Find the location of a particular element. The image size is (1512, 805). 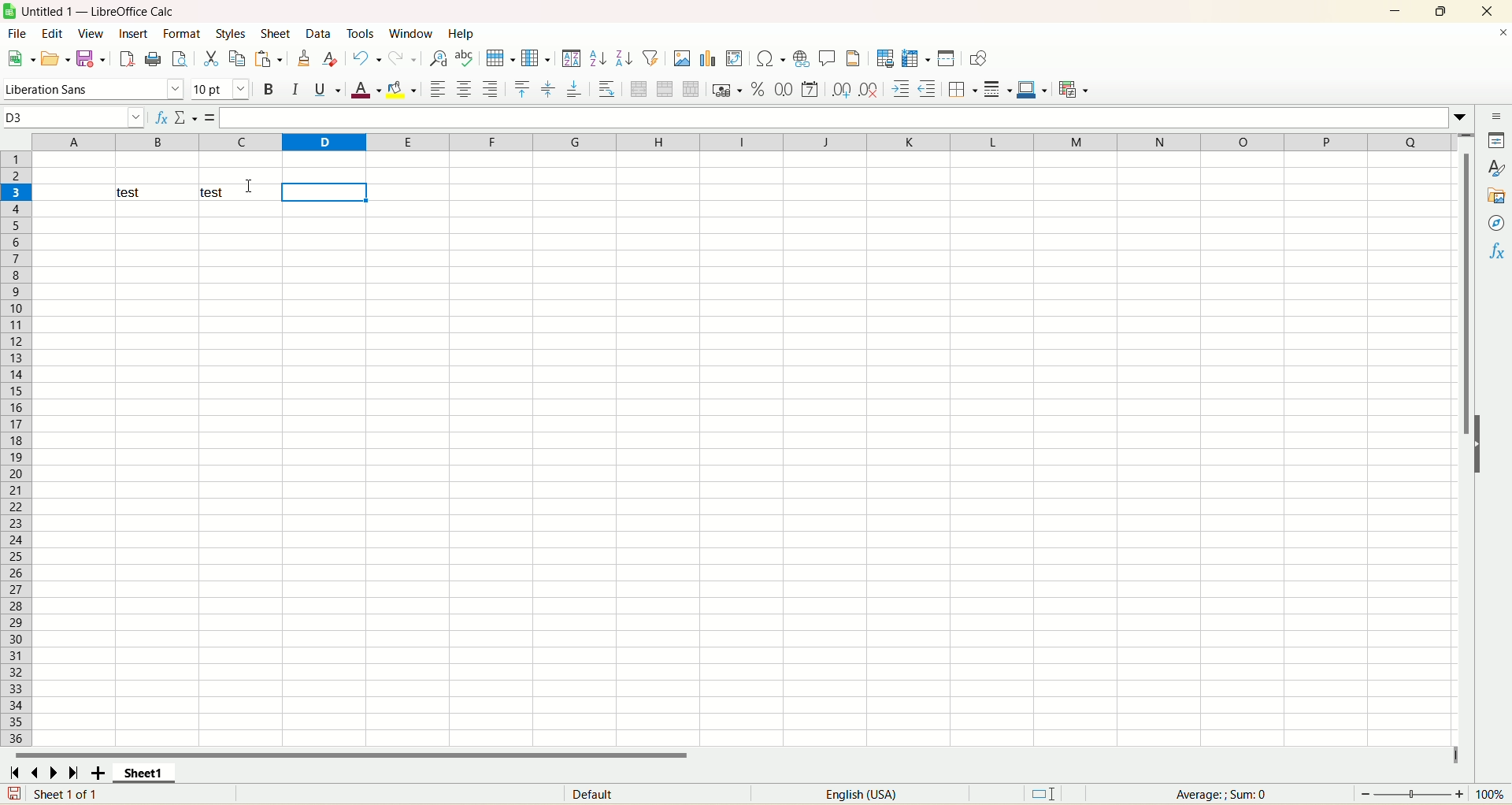

insert image is located at coordinates (682, 58).